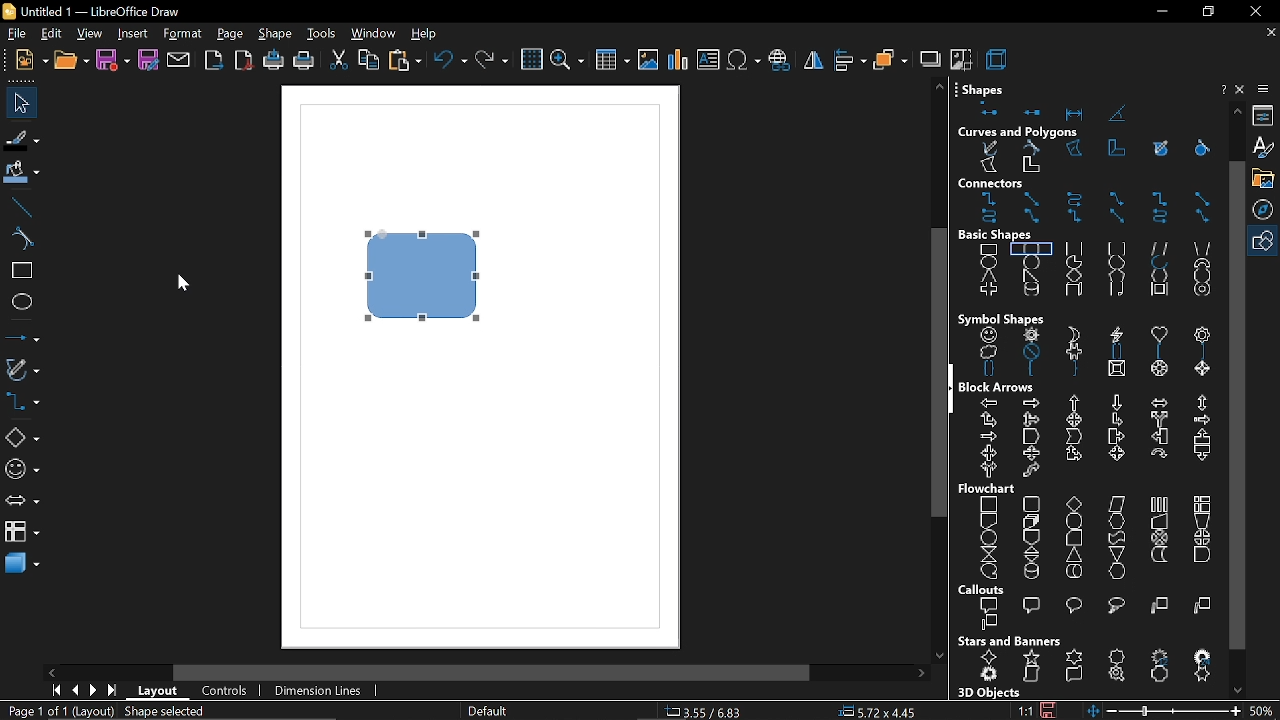  What do you see at coordinates (952, 387) in the screenshot?
I see `collapse` at bounding box center [952, 387].